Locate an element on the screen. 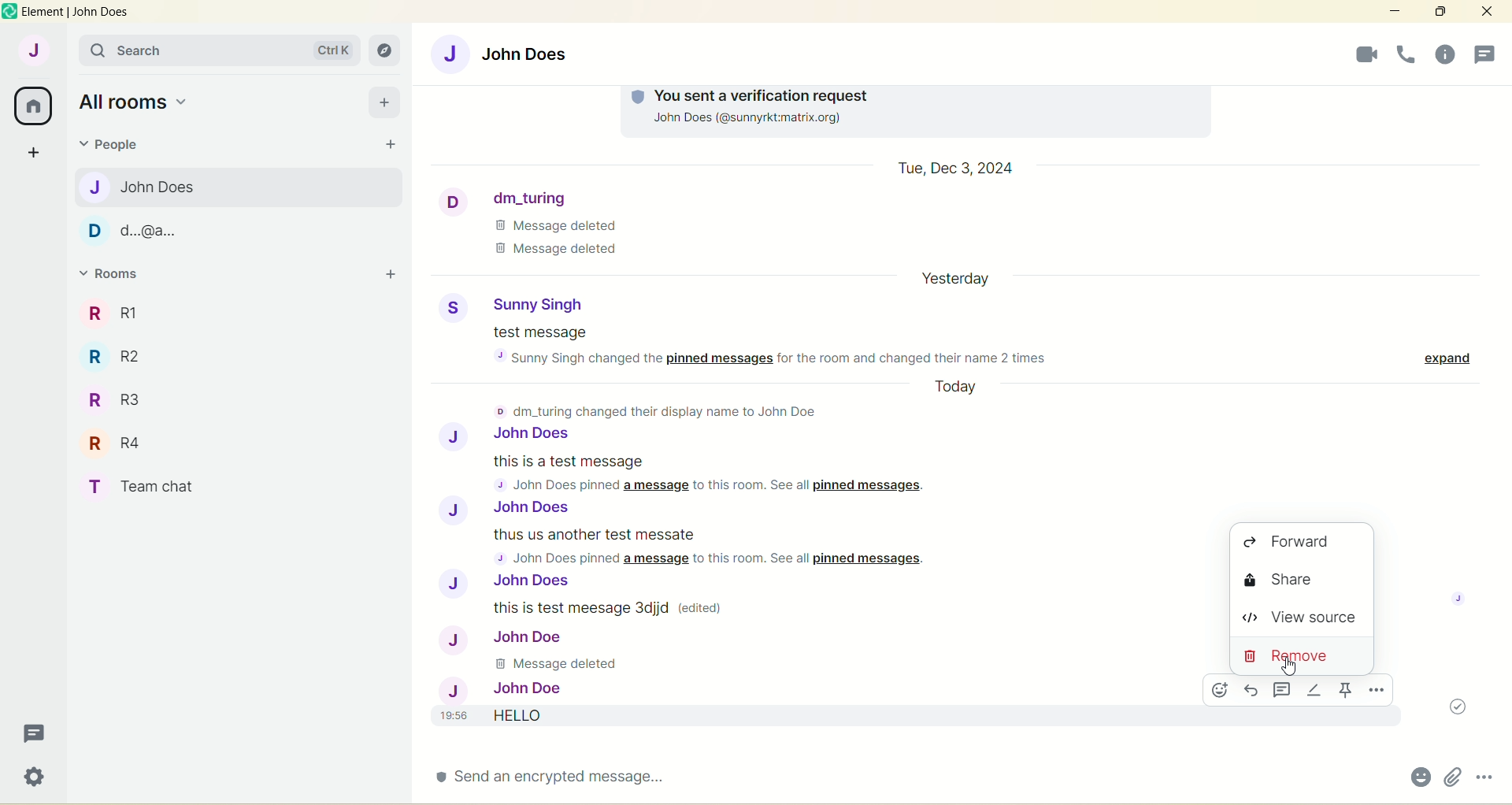 The width and height of the screenshot is (1512, 805). all rooms is located at coordinates (135, 102).